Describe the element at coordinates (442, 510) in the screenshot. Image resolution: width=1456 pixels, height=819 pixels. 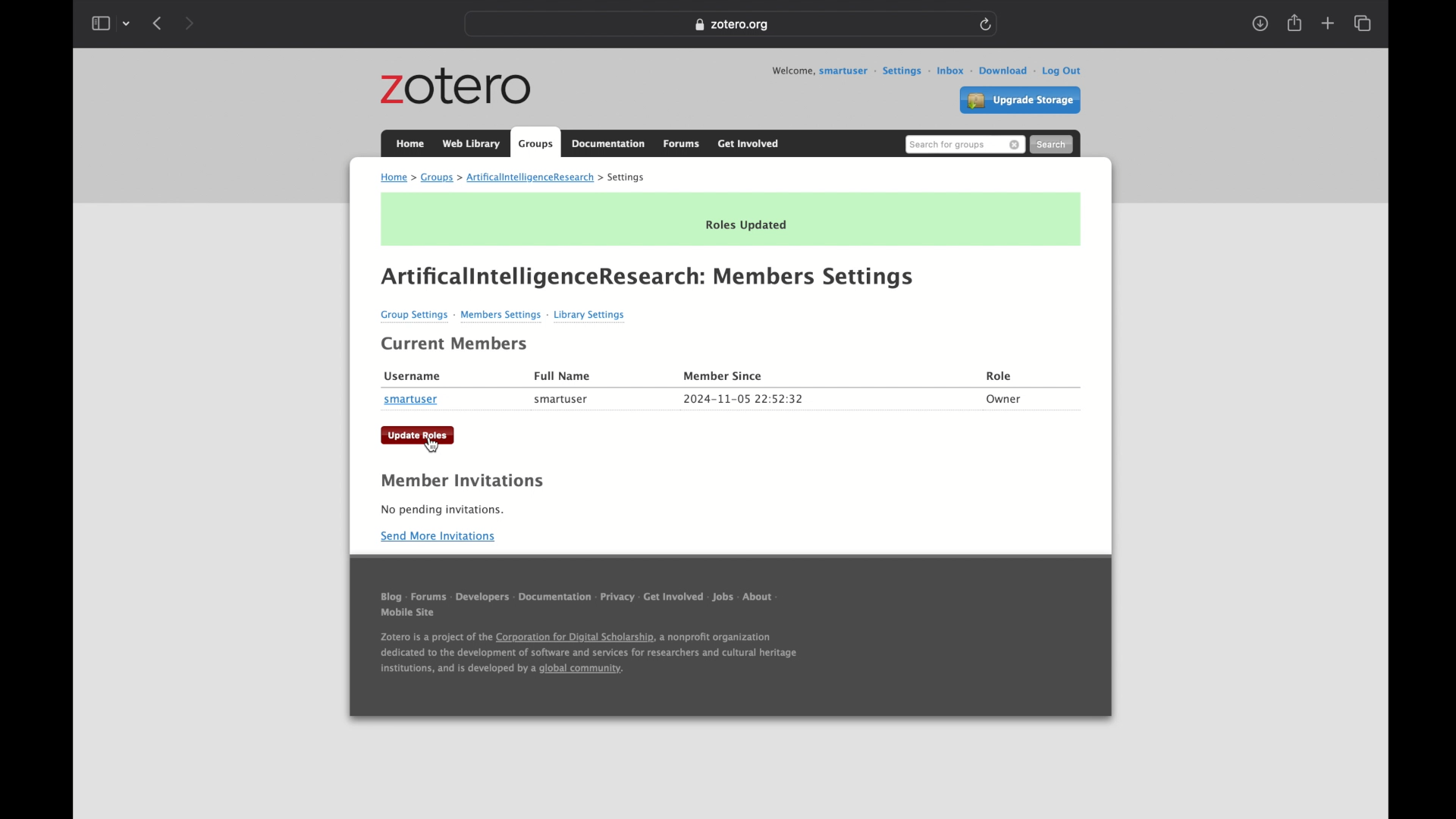
I see `no pending invitations` at that location.